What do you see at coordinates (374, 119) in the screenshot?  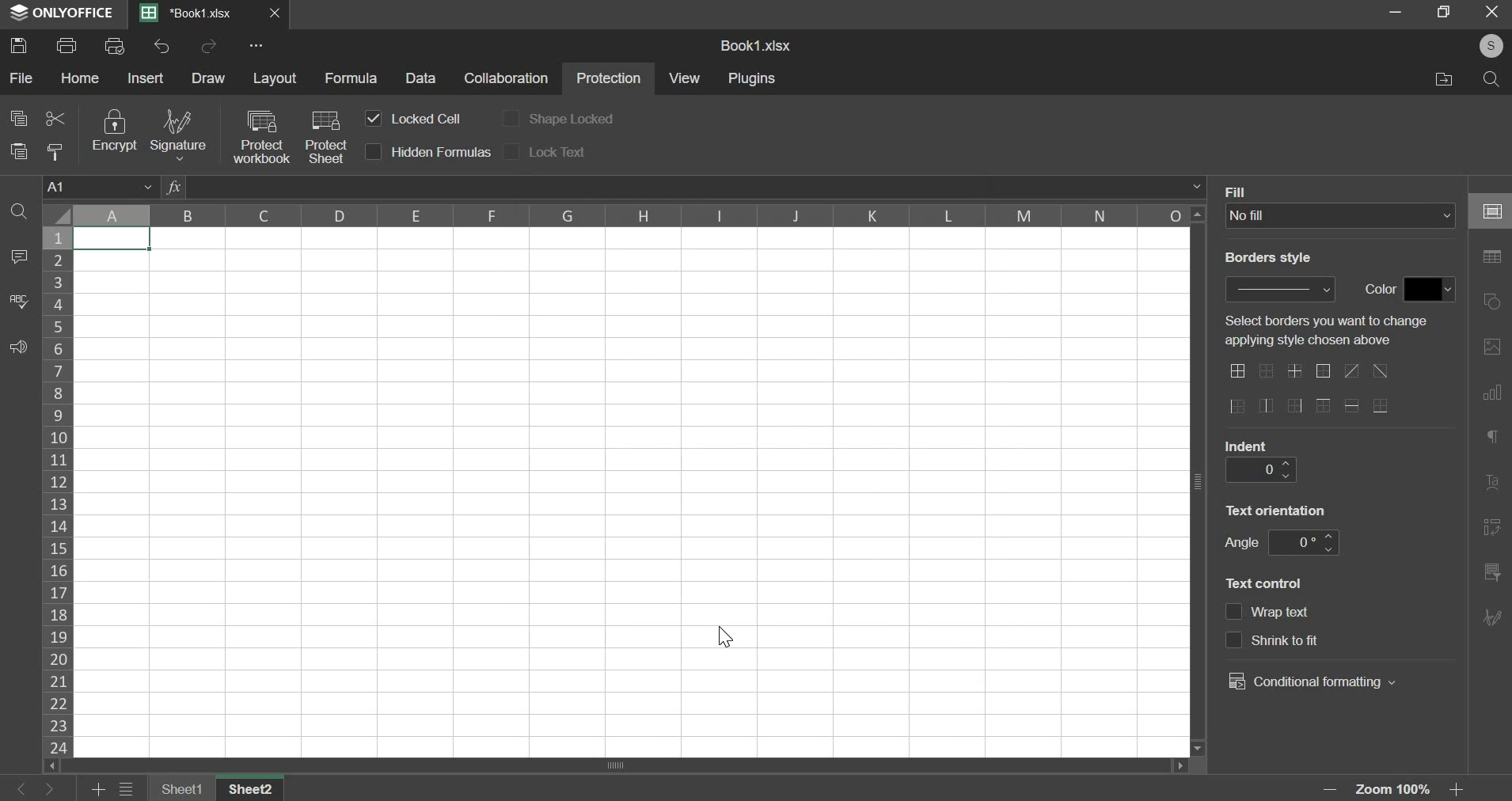 I see `checkbox` at bounding box center [374, 119].